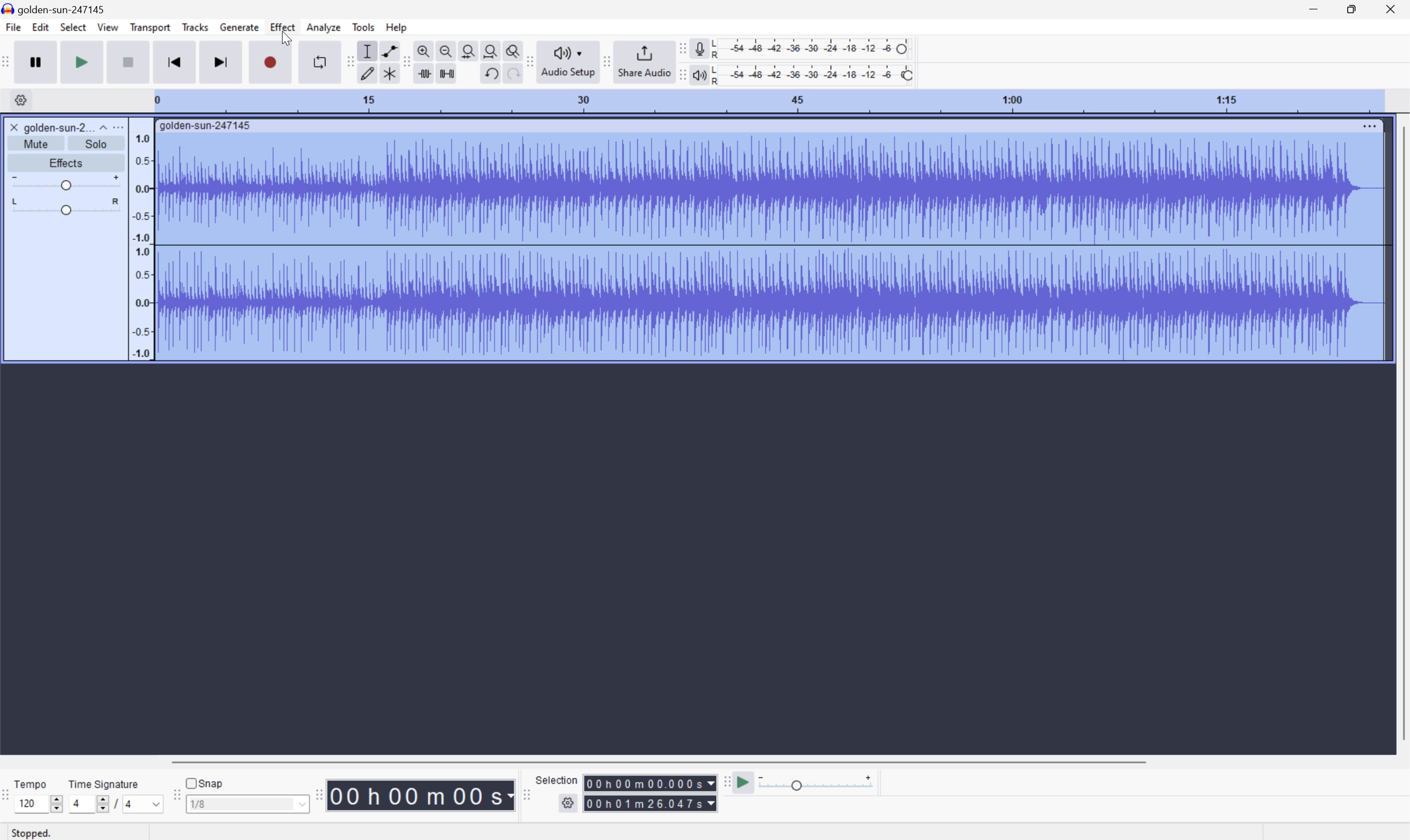 This screenshot has width=1410, height=840. Describe the element at coordinates (141, 246) in the screenshot. I see `Frequencies` at that location.